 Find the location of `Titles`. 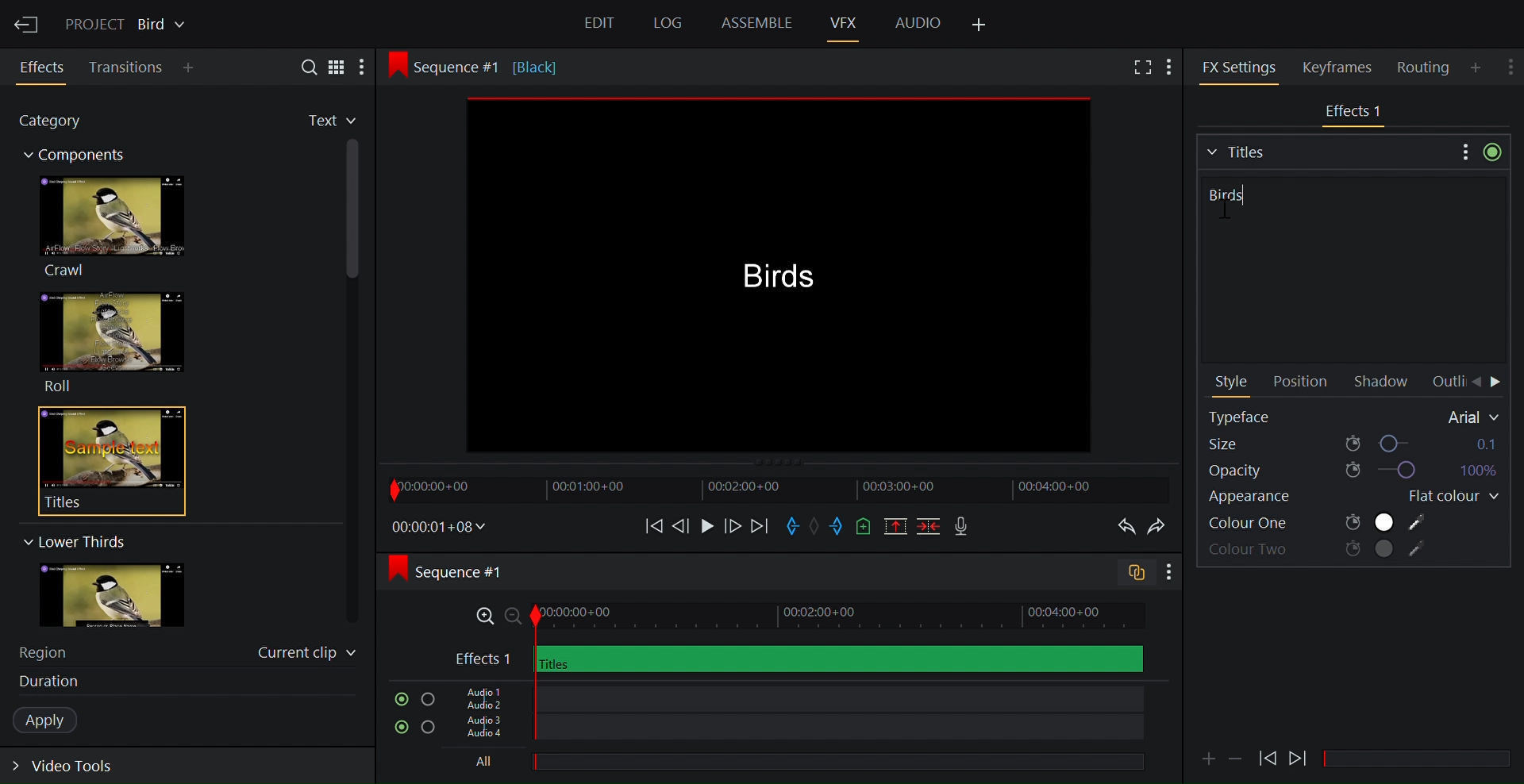

Titles is located at coordinates (1325, 150).